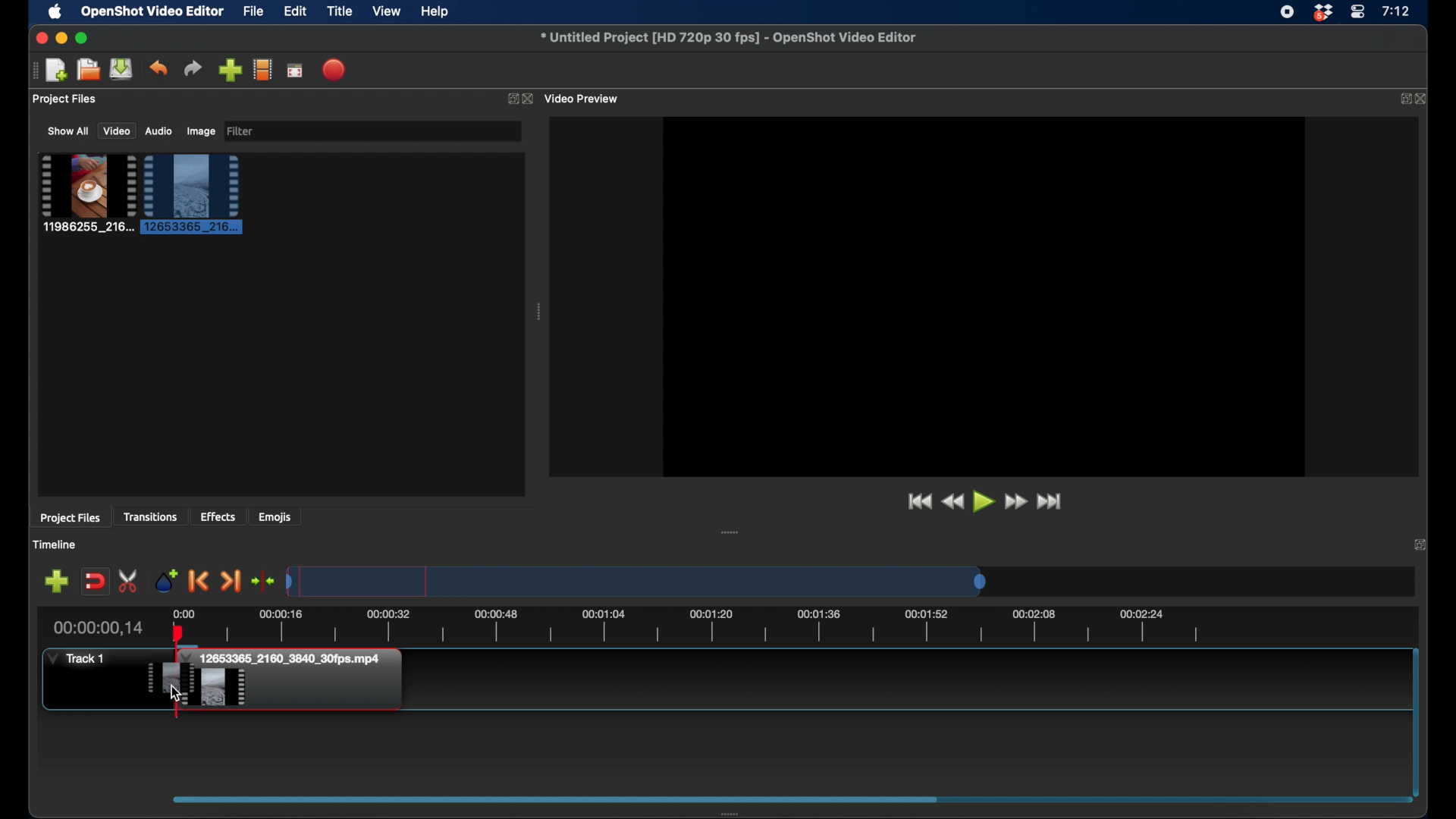  I want to click on import files, so click(231, 70).